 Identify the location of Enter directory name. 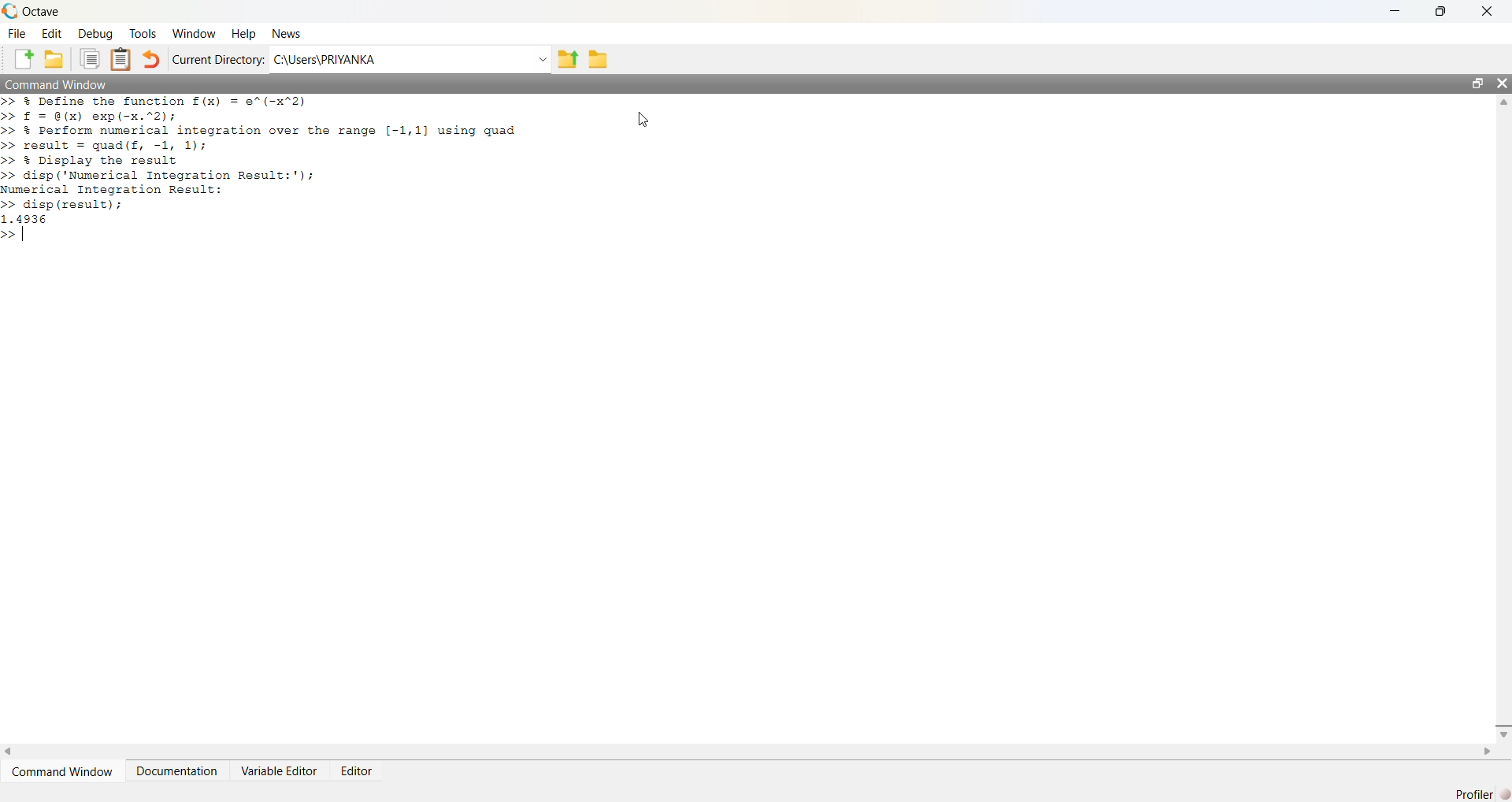
(540, 58).